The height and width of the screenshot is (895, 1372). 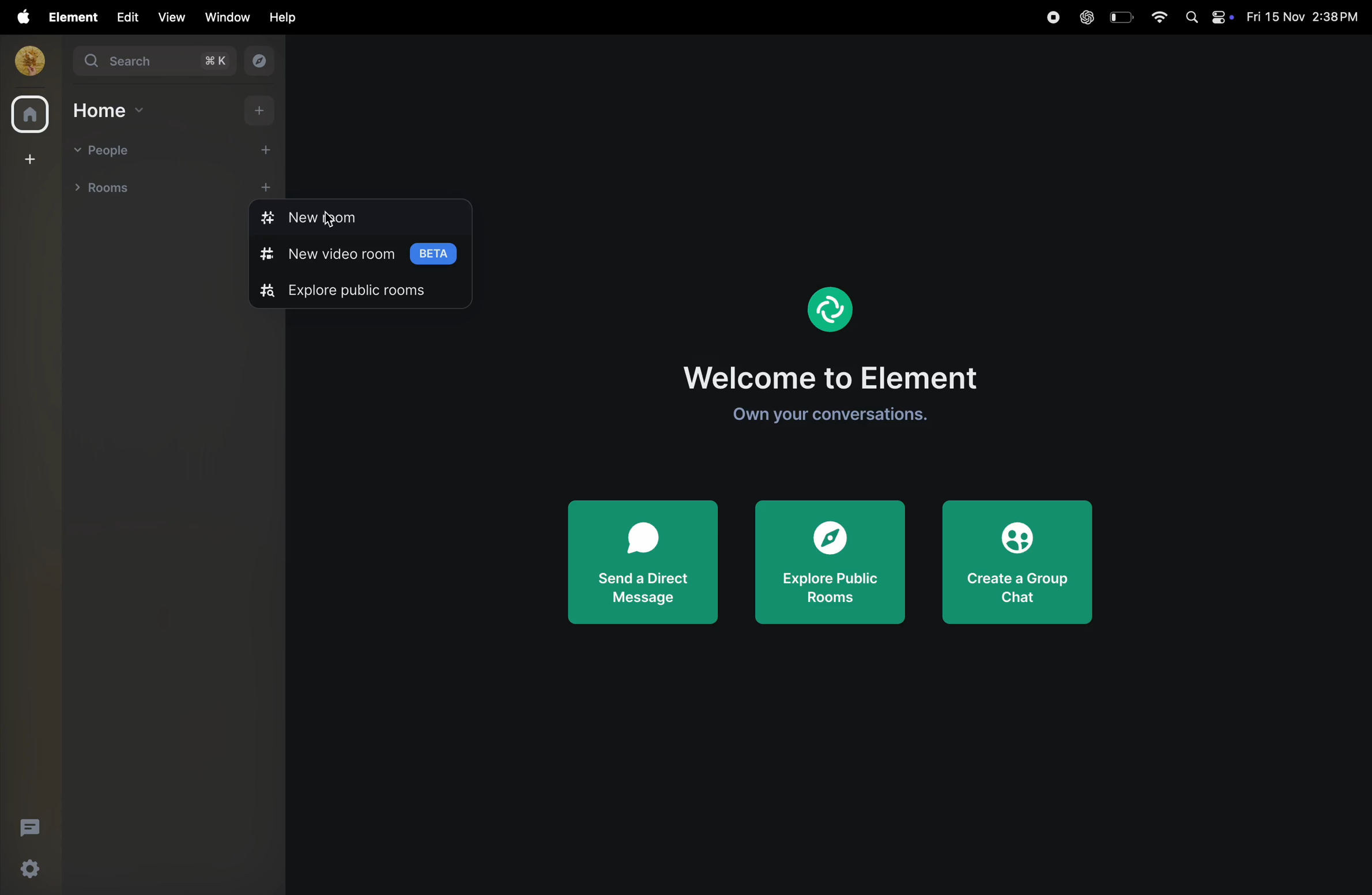 I want to click on Welcome to Element, so click(x=836, y=378).